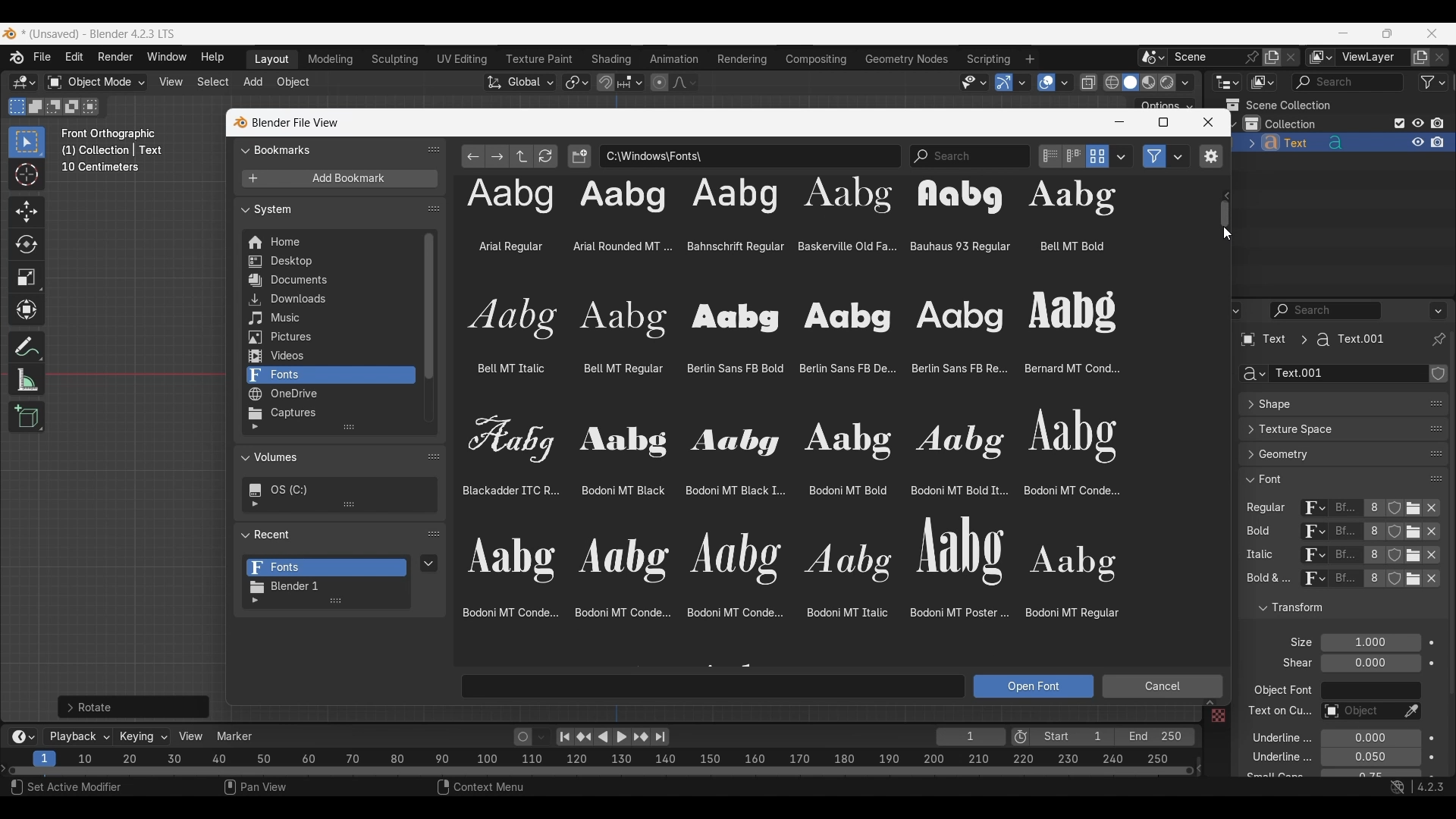 The width and height of the screenshot is (1456, 819). Describe the element at coordinates (1064, 83) in the screenshot. I see `Overlays` at that location.